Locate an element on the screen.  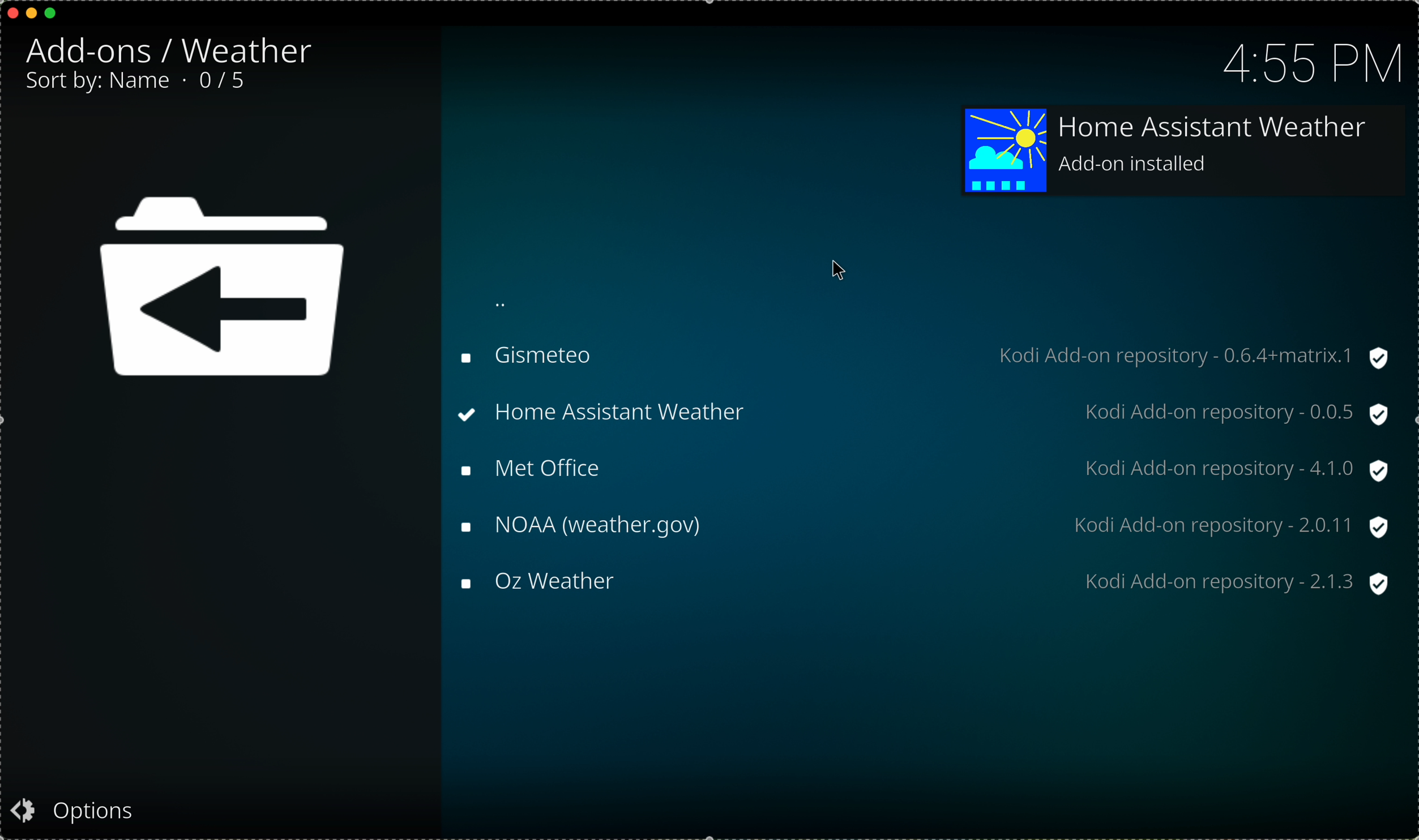
close is located at coordinates (9, 13).